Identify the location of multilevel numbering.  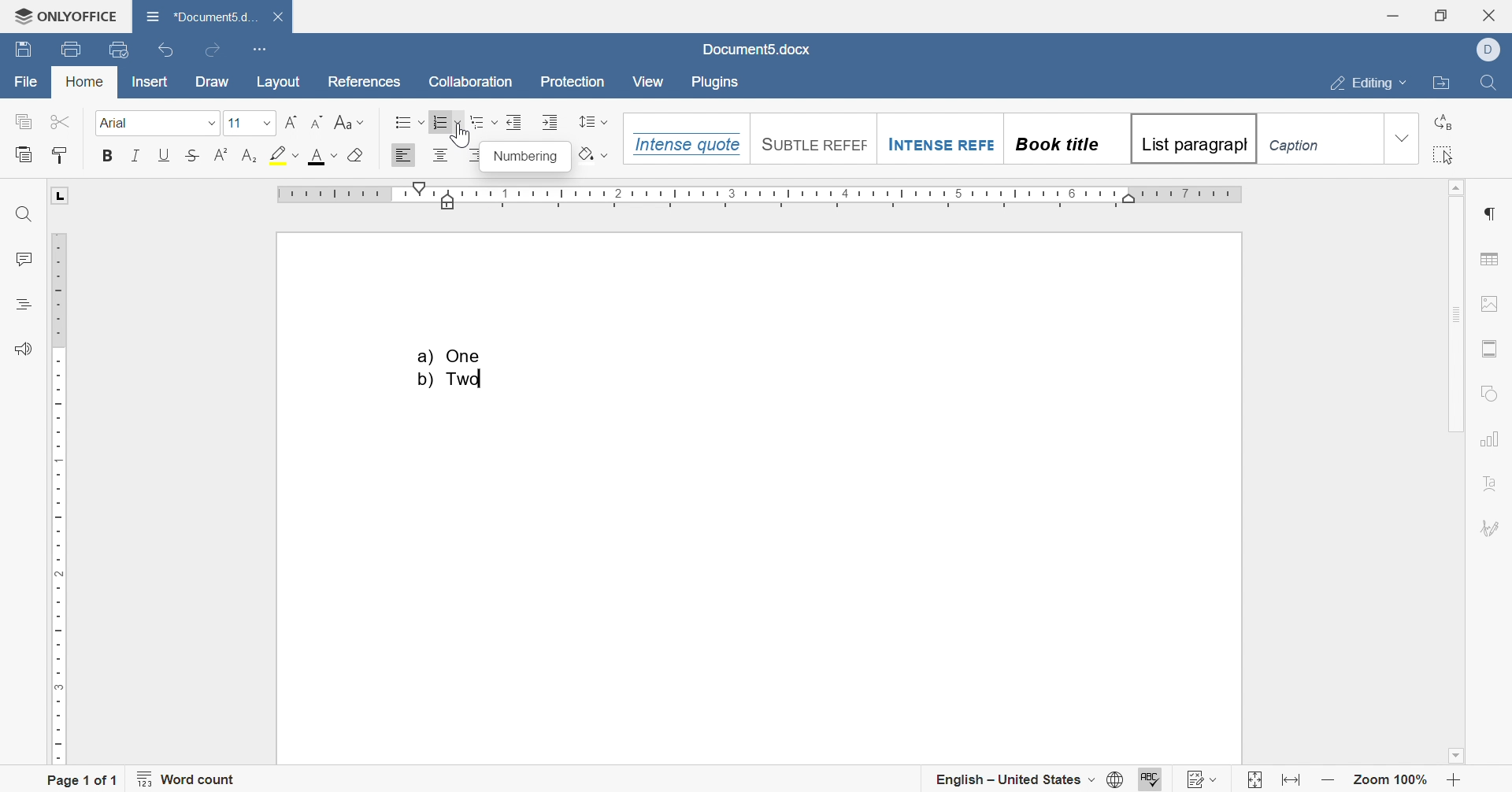
(483, 121).